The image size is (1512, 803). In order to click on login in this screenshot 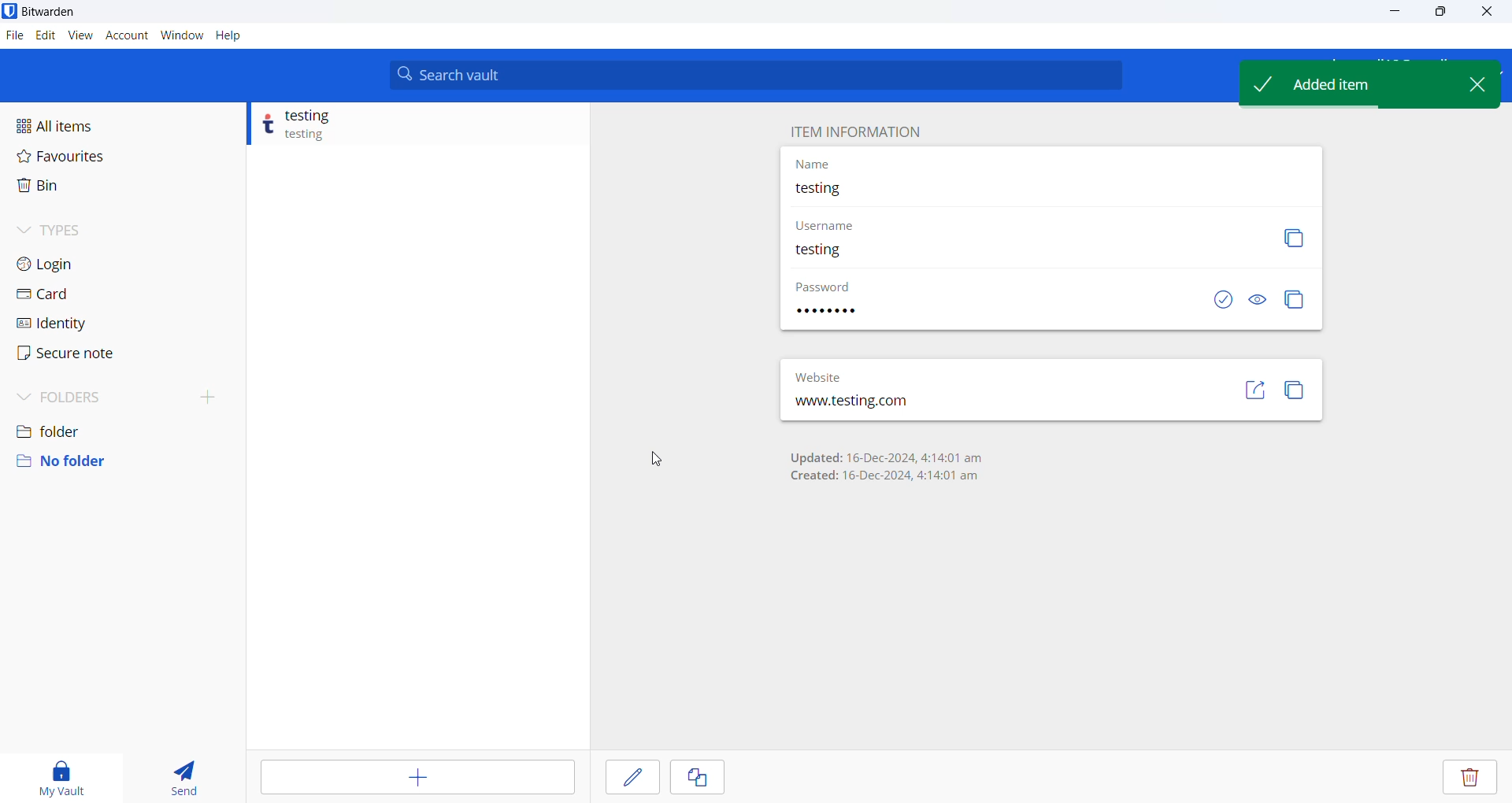, I will do `click(82, 265)`.